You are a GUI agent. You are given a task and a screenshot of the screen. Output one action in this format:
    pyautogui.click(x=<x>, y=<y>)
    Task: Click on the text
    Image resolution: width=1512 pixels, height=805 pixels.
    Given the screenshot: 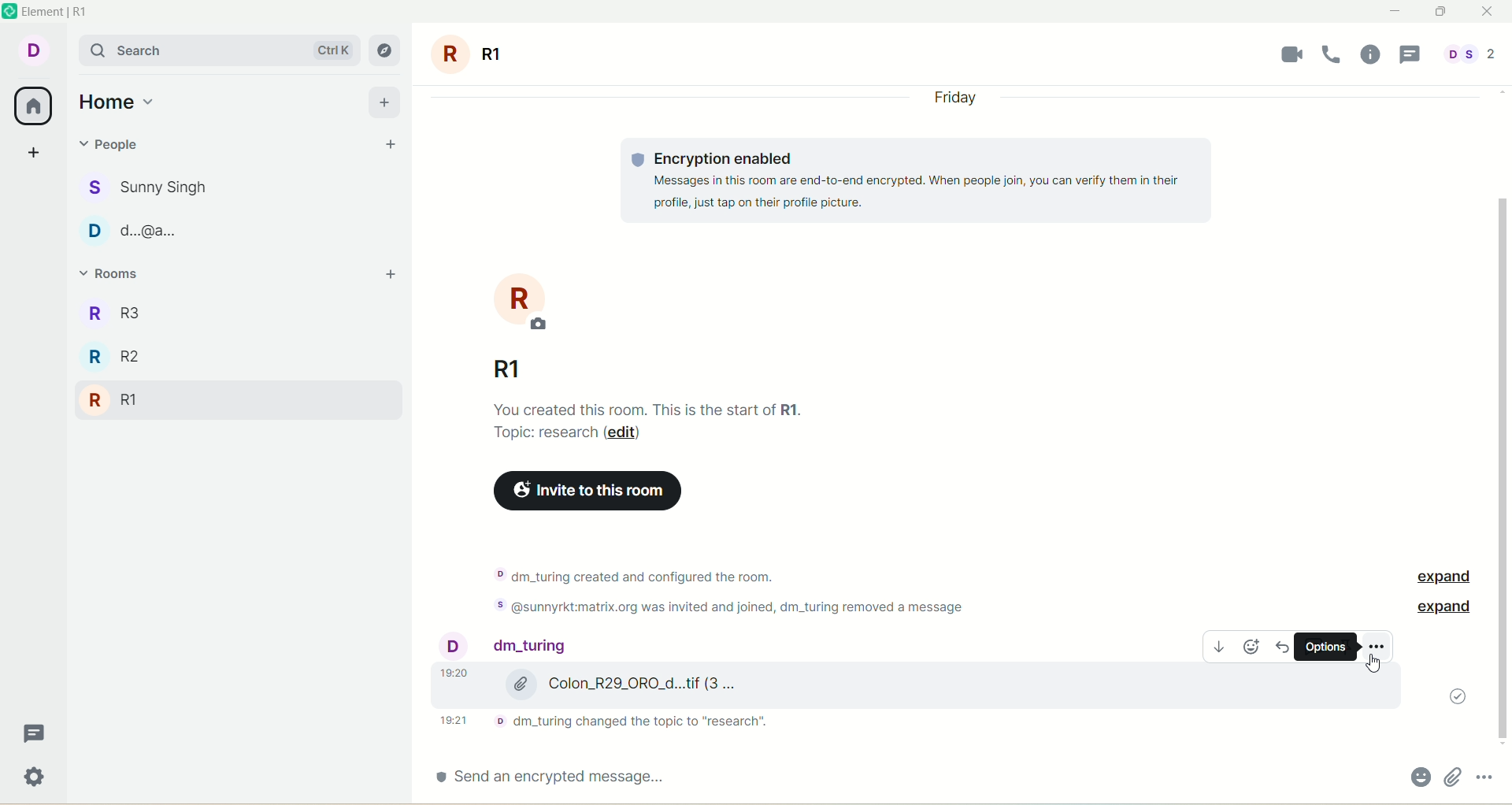 What is the action you would take?
    pyautogui.click(x=615, y=719)
    